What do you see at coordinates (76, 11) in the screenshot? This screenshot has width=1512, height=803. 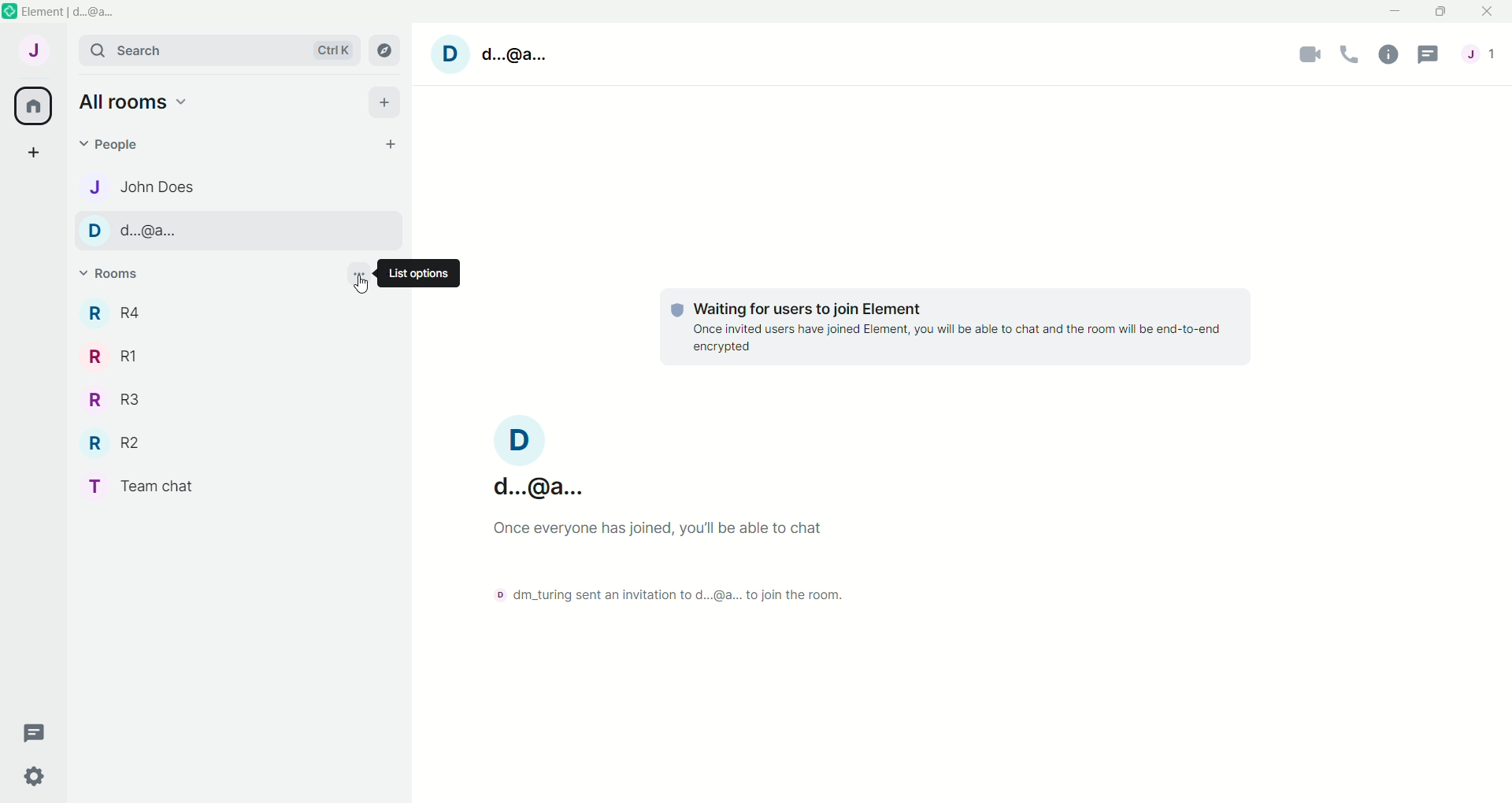 I see `element | d...@a...` at bounding box center [76, 11].